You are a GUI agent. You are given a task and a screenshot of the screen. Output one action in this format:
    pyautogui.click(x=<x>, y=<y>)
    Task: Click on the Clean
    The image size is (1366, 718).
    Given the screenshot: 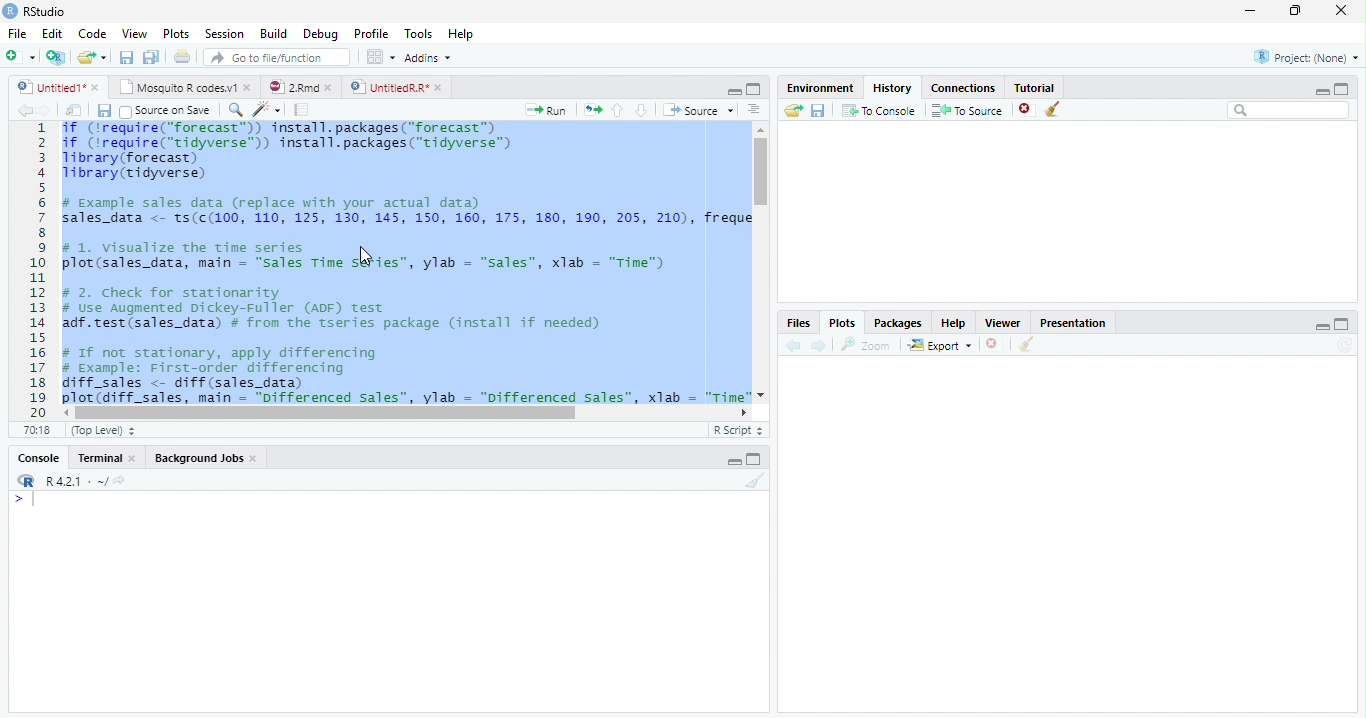 What is the action you would take?
    pyautogui.click(x=1026, y=345)
    